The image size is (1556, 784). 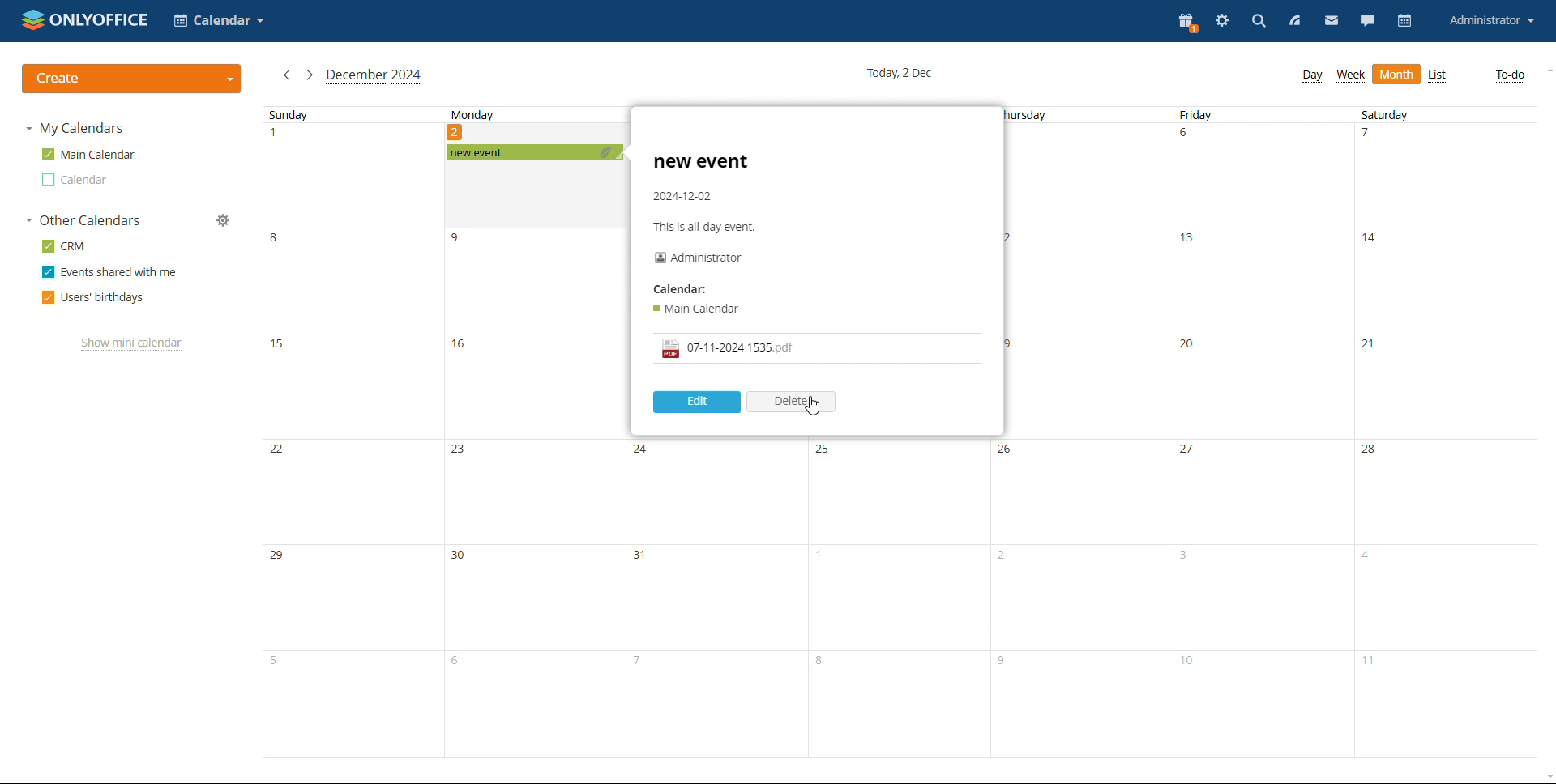 What do you see at coordinates (88, 155) in the screenshot?
I see `main calendar` at bounding box center [88, 155].